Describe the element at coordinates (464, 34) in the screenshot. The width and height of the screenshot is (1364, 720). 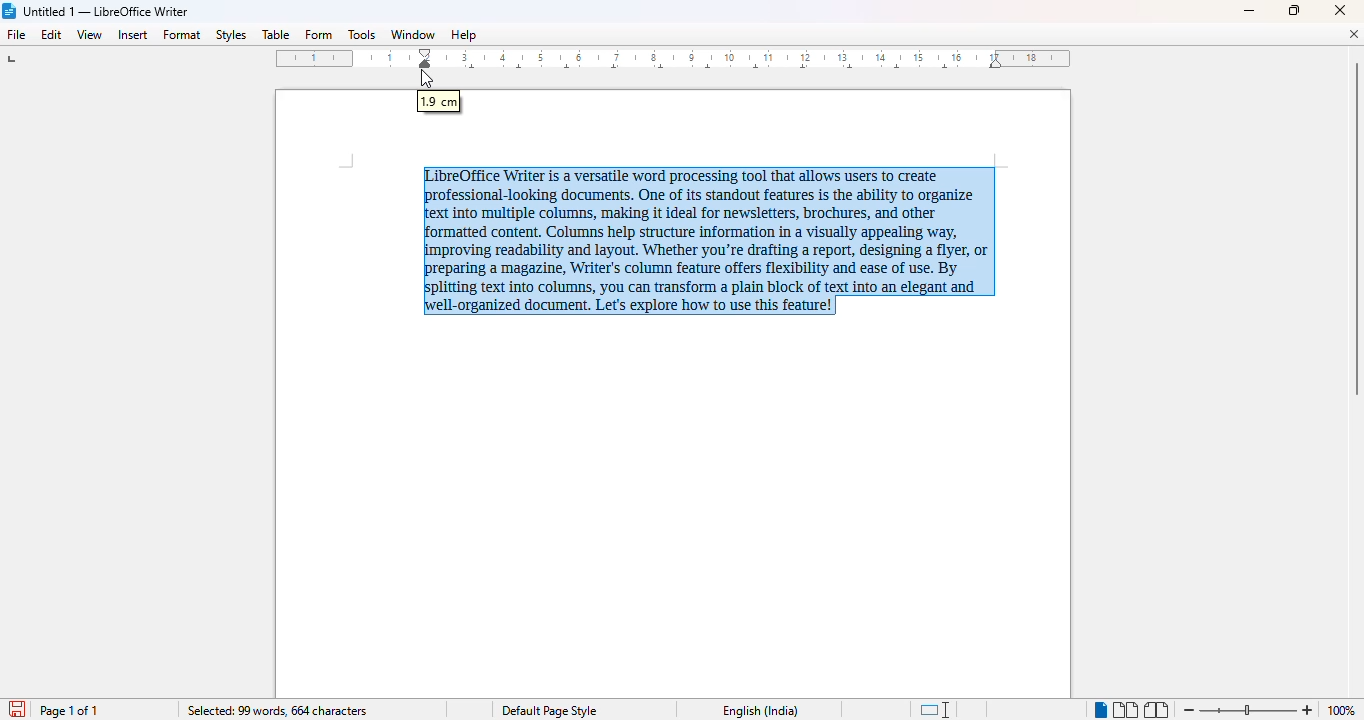
I see `help` at that location.